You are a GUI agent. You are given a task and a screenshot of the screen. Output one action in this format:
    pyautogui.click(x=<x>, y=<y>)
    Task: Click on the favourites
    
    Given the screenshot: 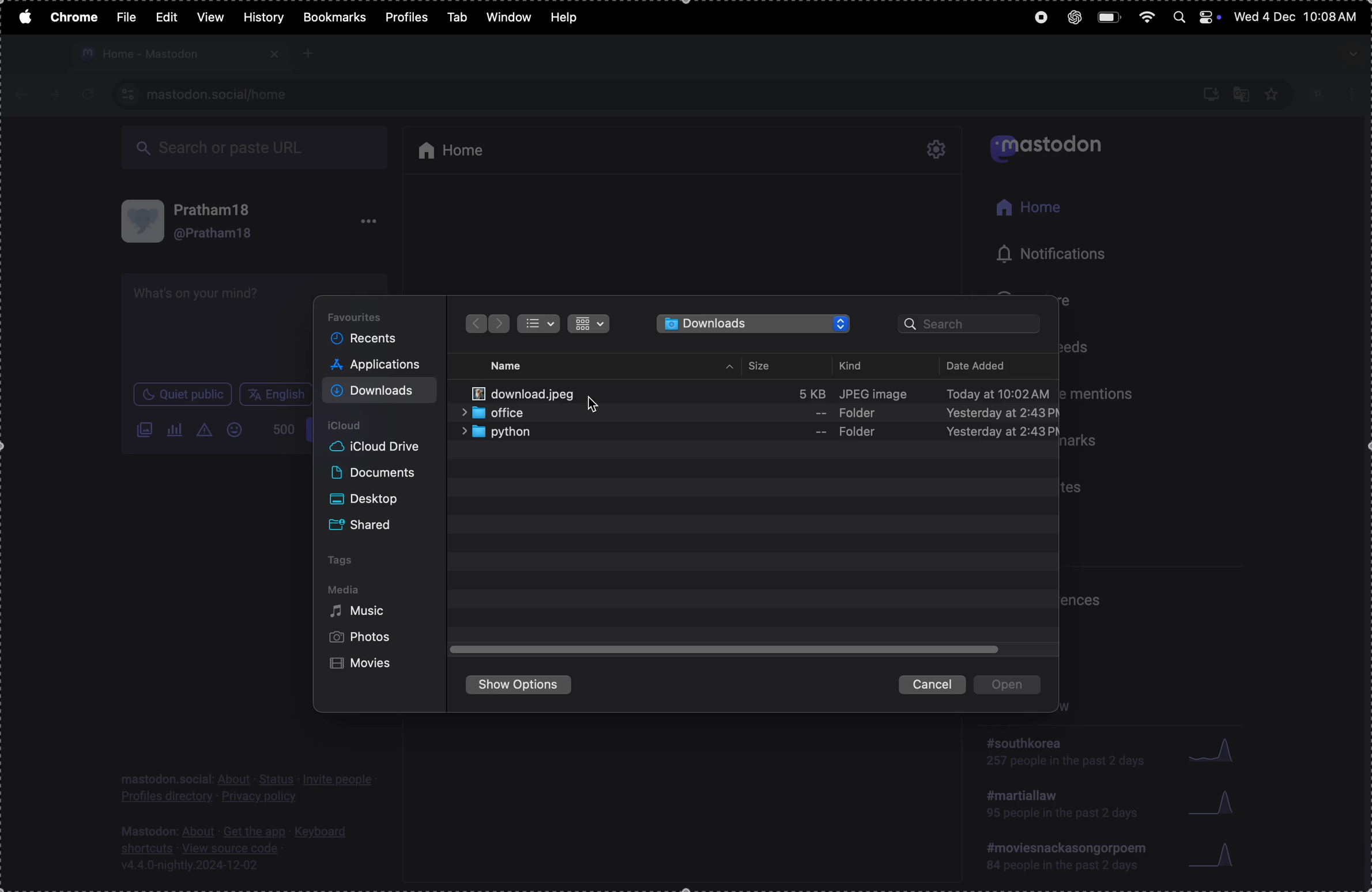 What is the action you would take?
    pyautogui.click(x=362, y=315)
    